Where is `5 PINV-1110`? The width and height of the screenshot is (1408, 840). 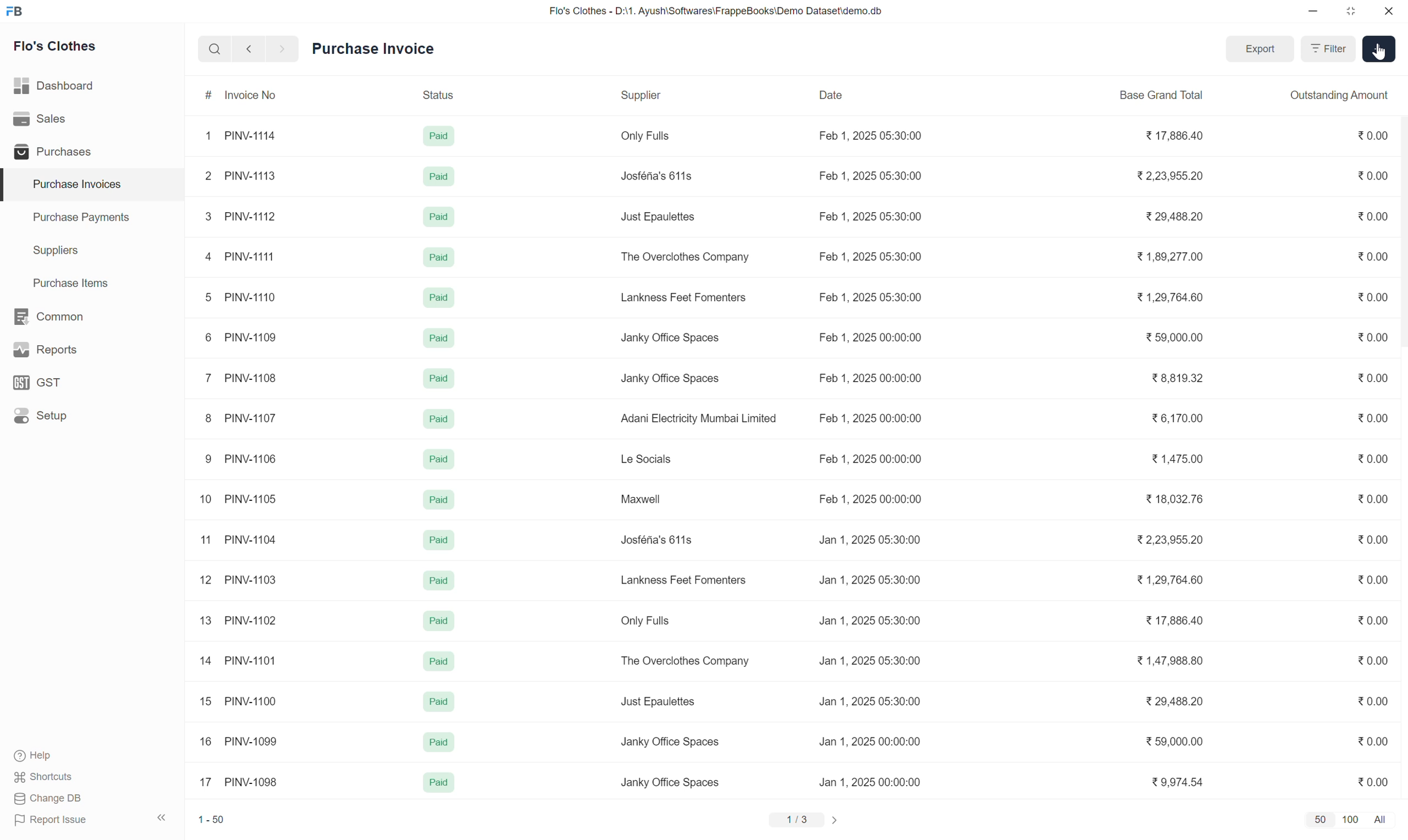 5 PINV-1110 is located at coordinates (241, 297).